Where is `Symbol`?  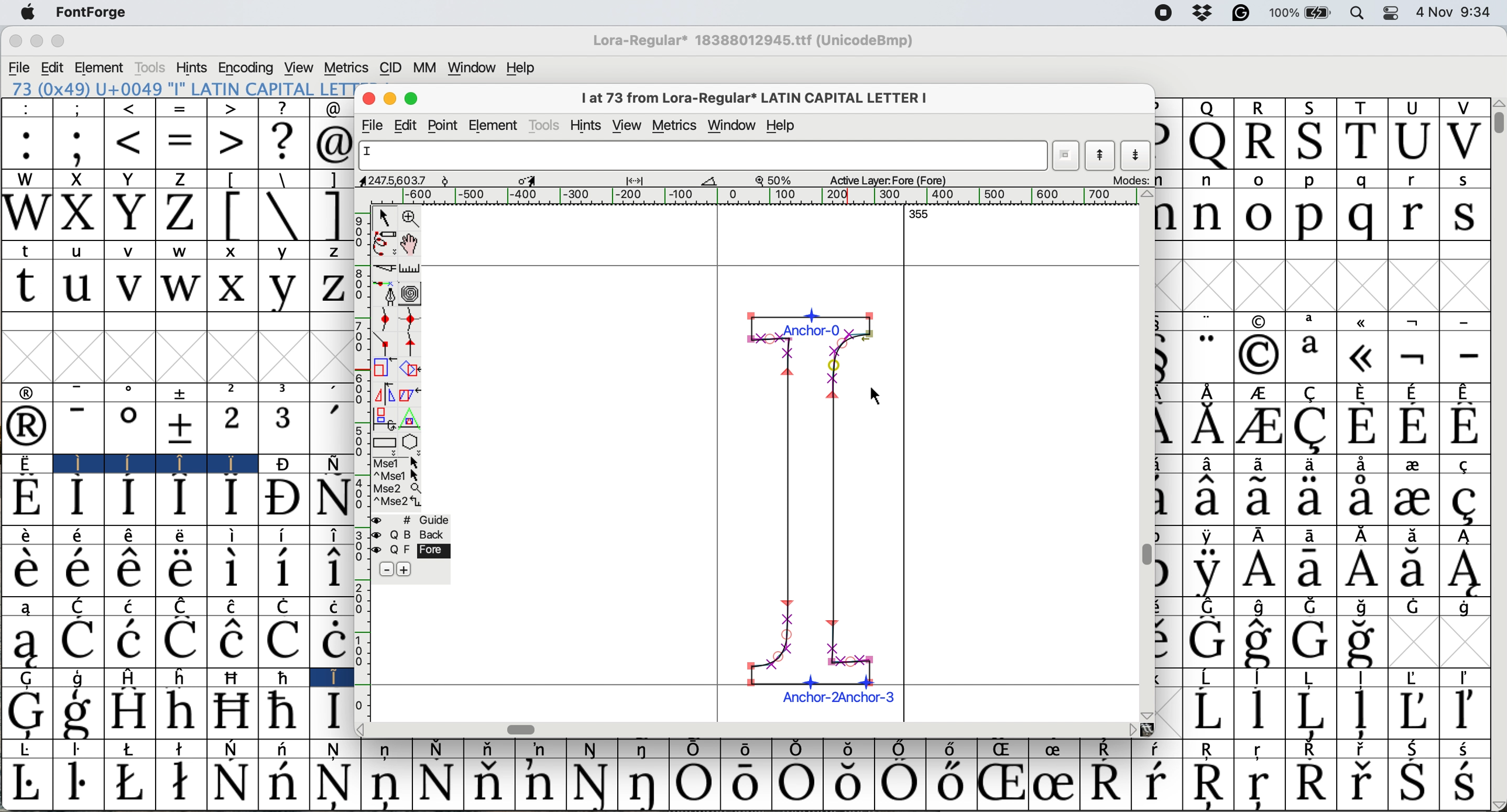 Symbol is located at coordinates (1108, 749).